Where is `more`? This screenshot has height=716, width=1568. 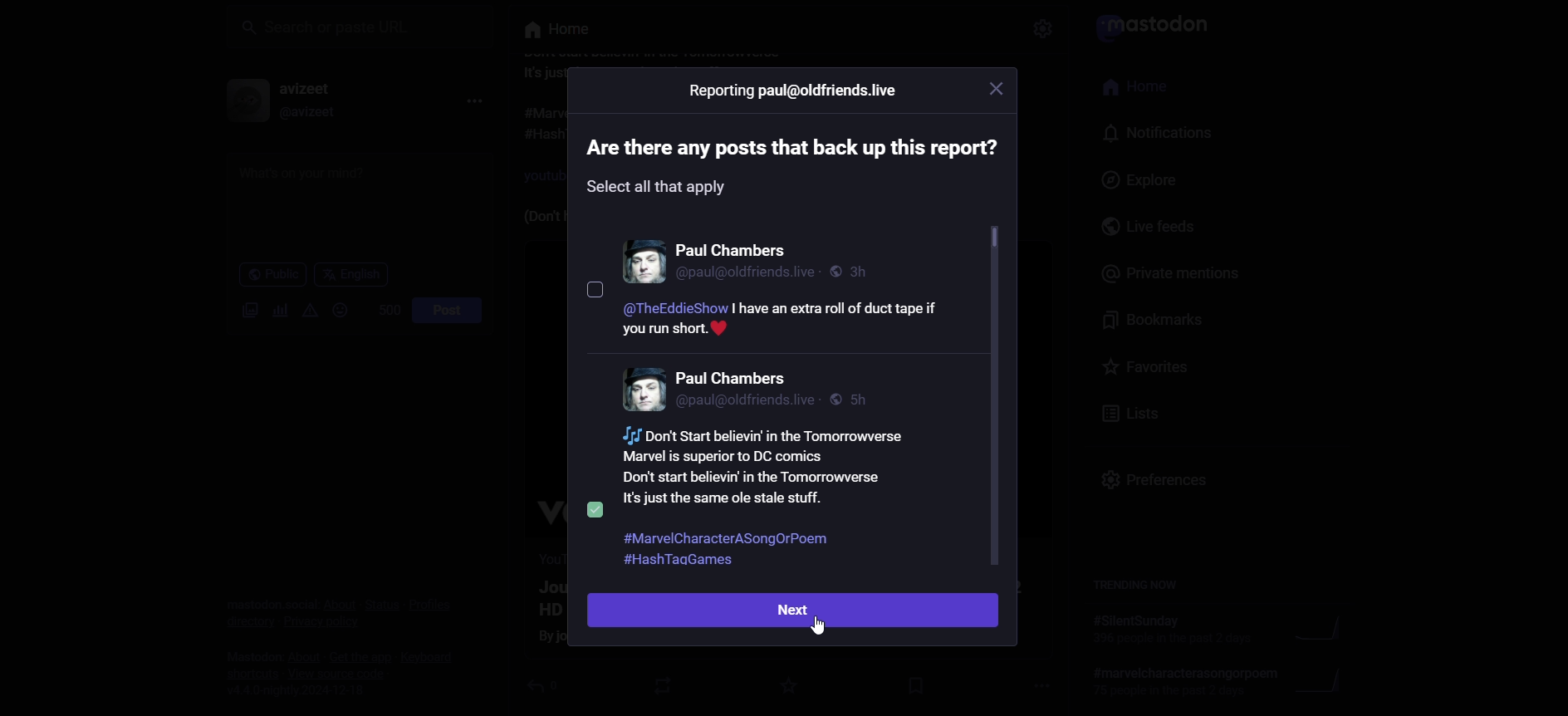 more is located at coordinates (468, 102).